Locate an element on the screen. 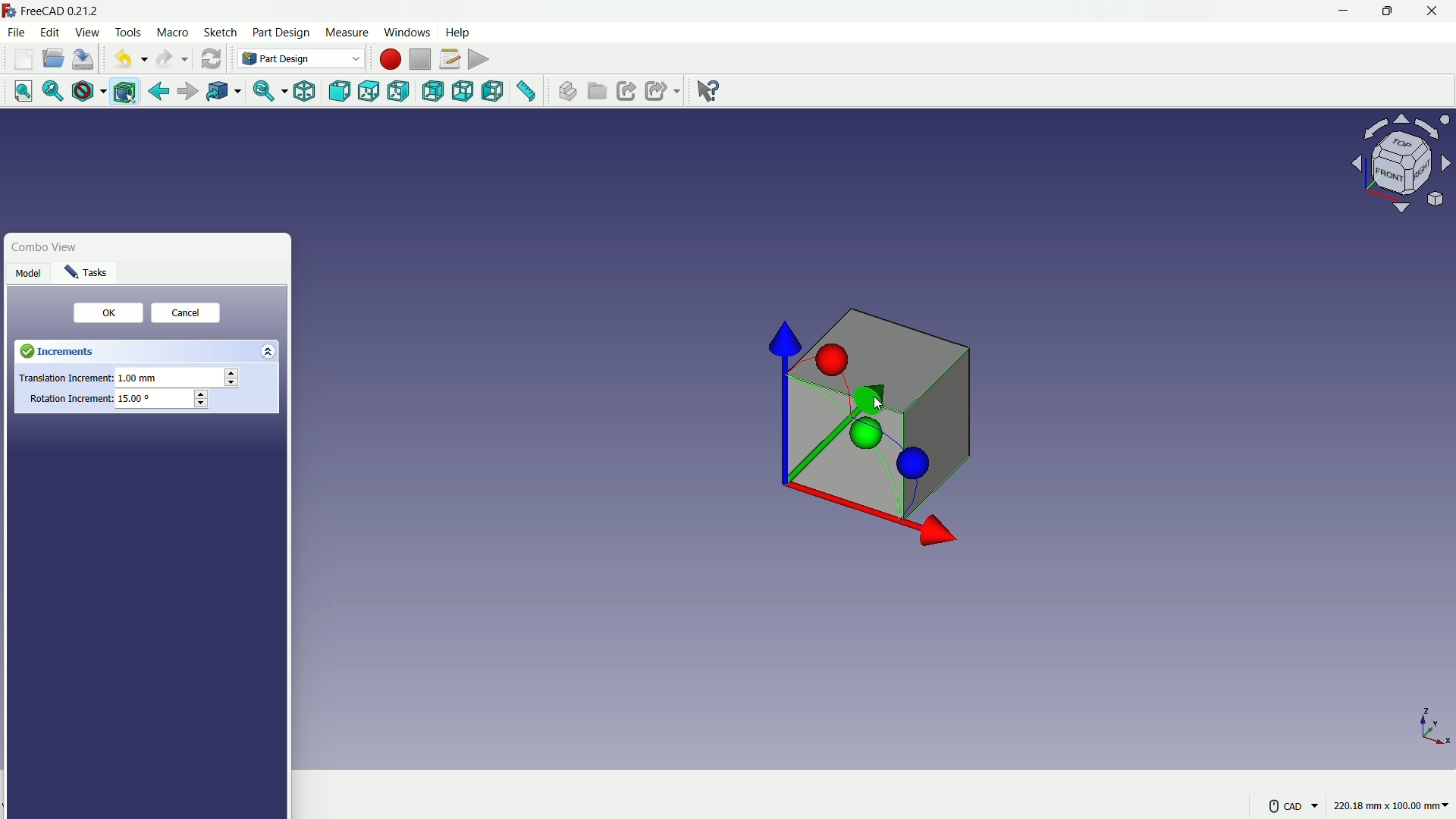 This screenshot has height=819, width=1456. preset viewpoint is located at coordinates (1406, 171).